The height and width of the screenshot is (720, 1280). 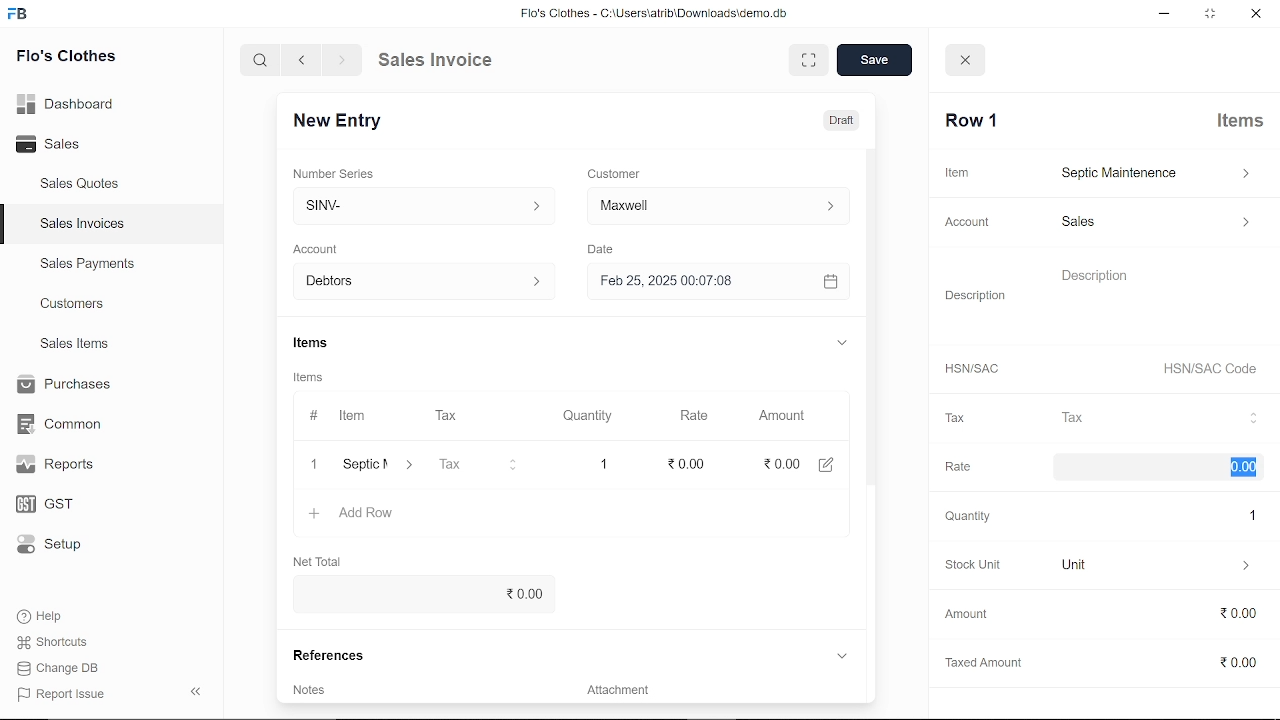 I want to click on minimize, so click(x=1160, y=14).